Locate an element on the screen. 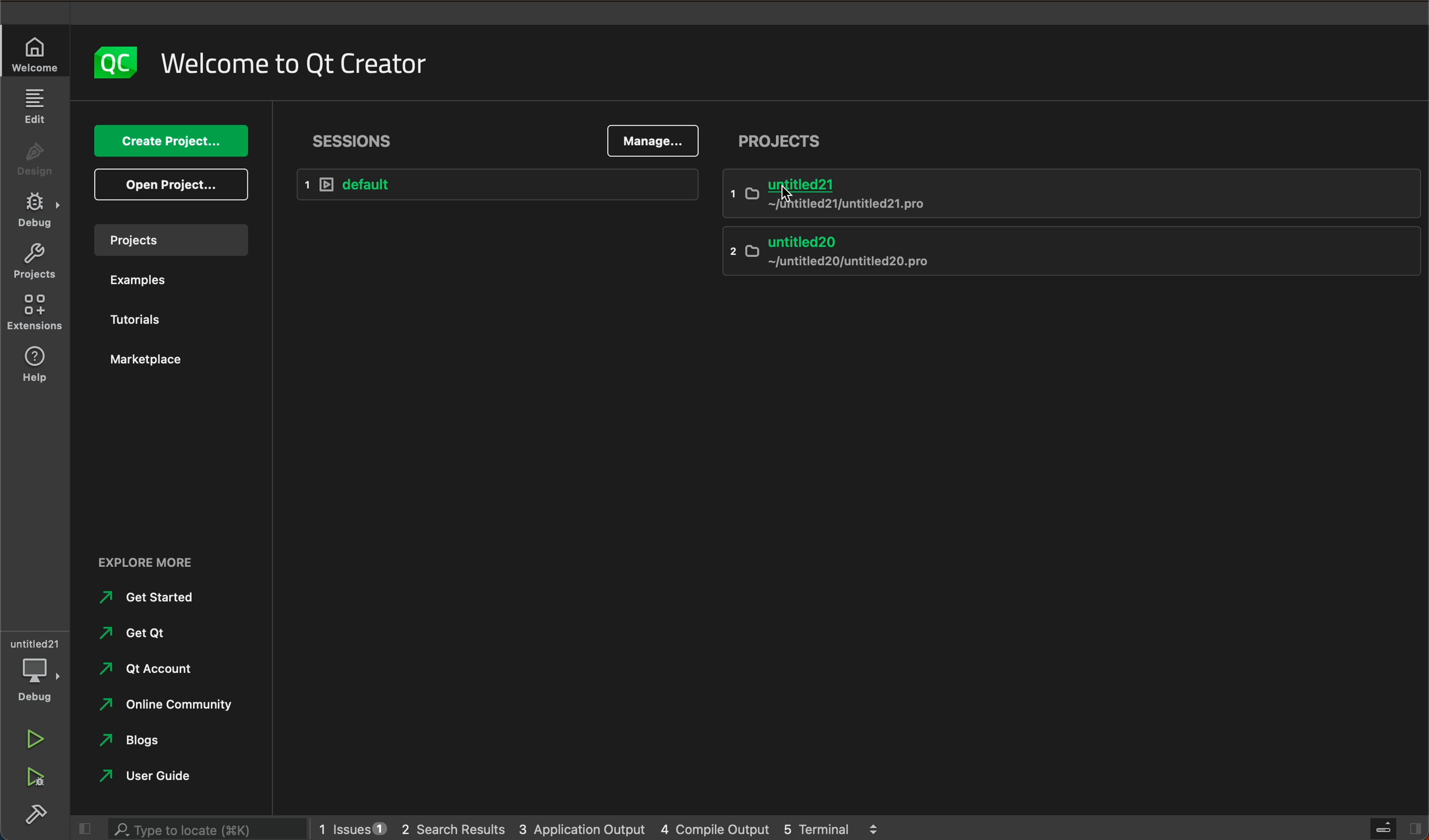  design is located at coordinates (34, 156).